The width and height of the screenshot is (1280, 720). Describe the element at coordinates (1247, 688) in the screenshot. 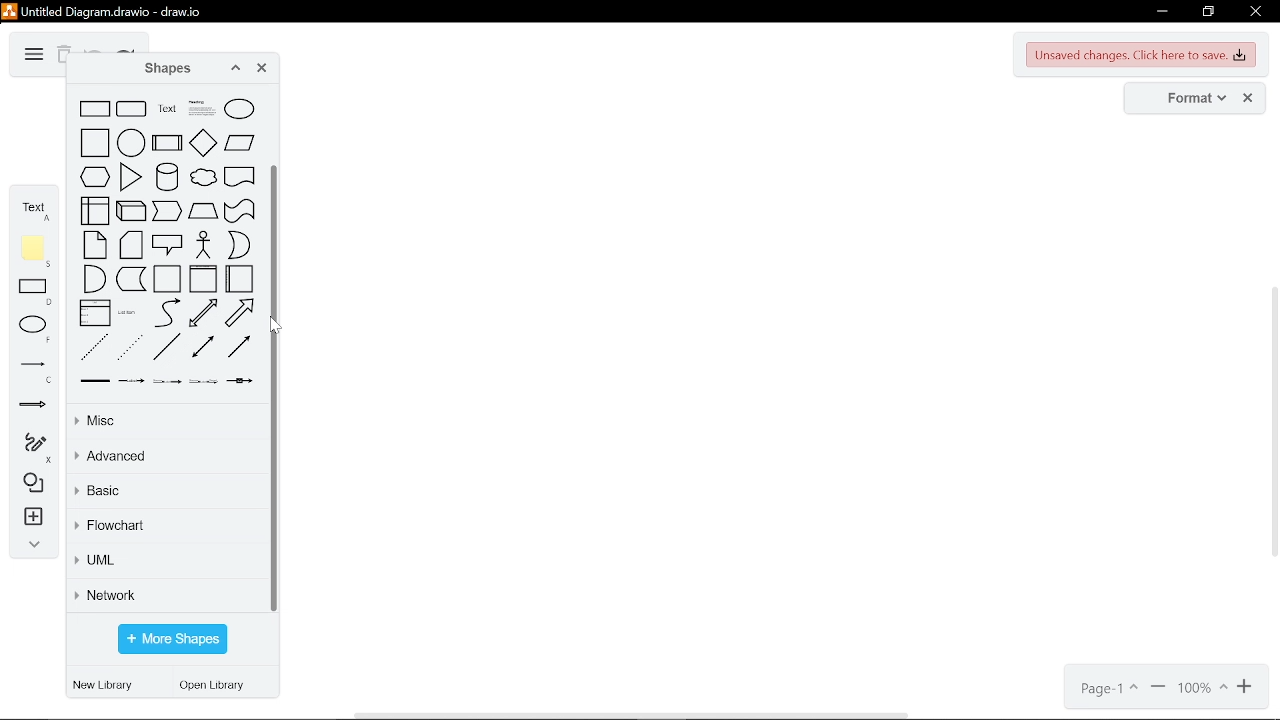

I see `zoom in` at that location.